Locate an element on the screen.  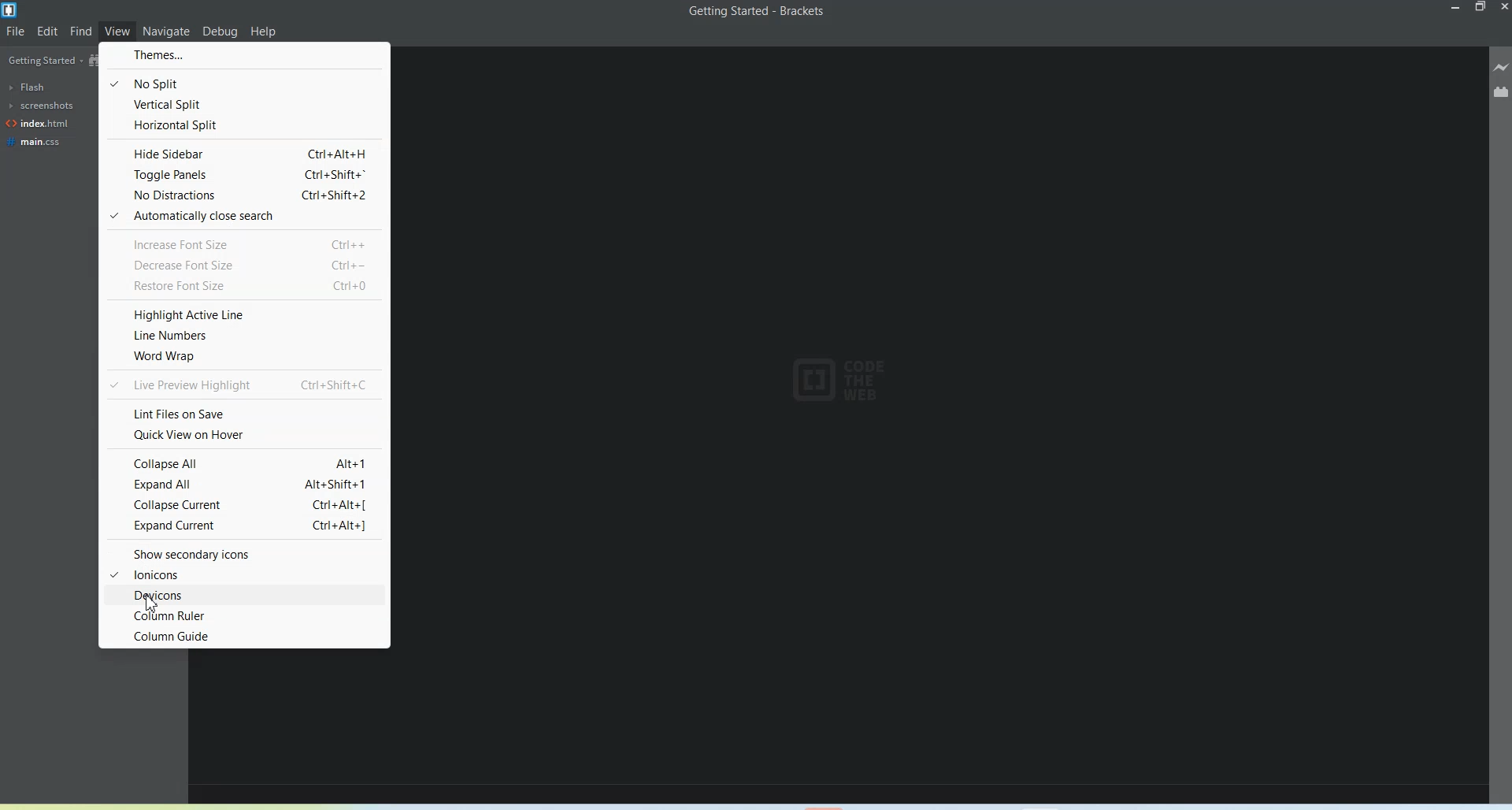
main.css is located at coordinates (36, 142).